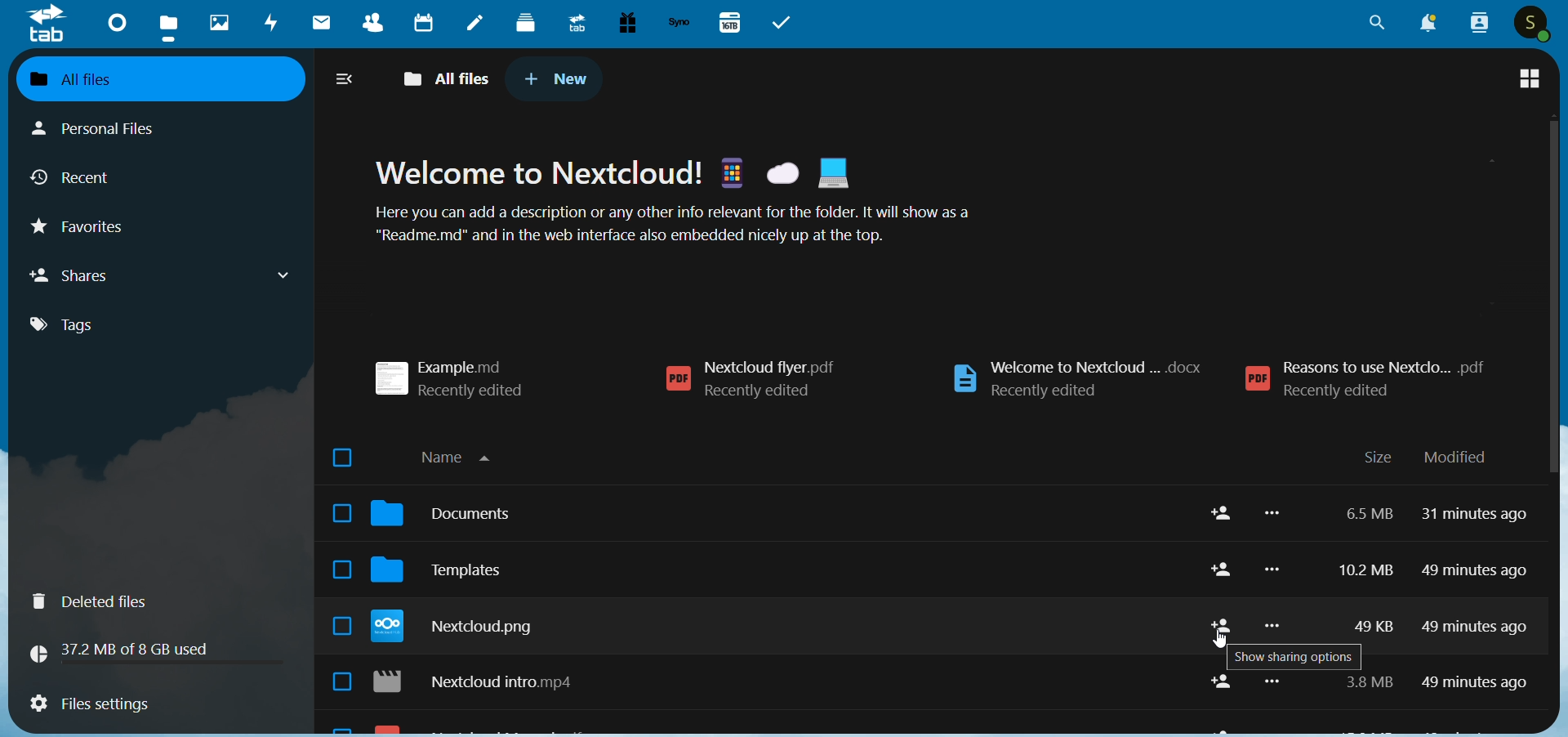  I want to click on deleted files, so click(100, 601).